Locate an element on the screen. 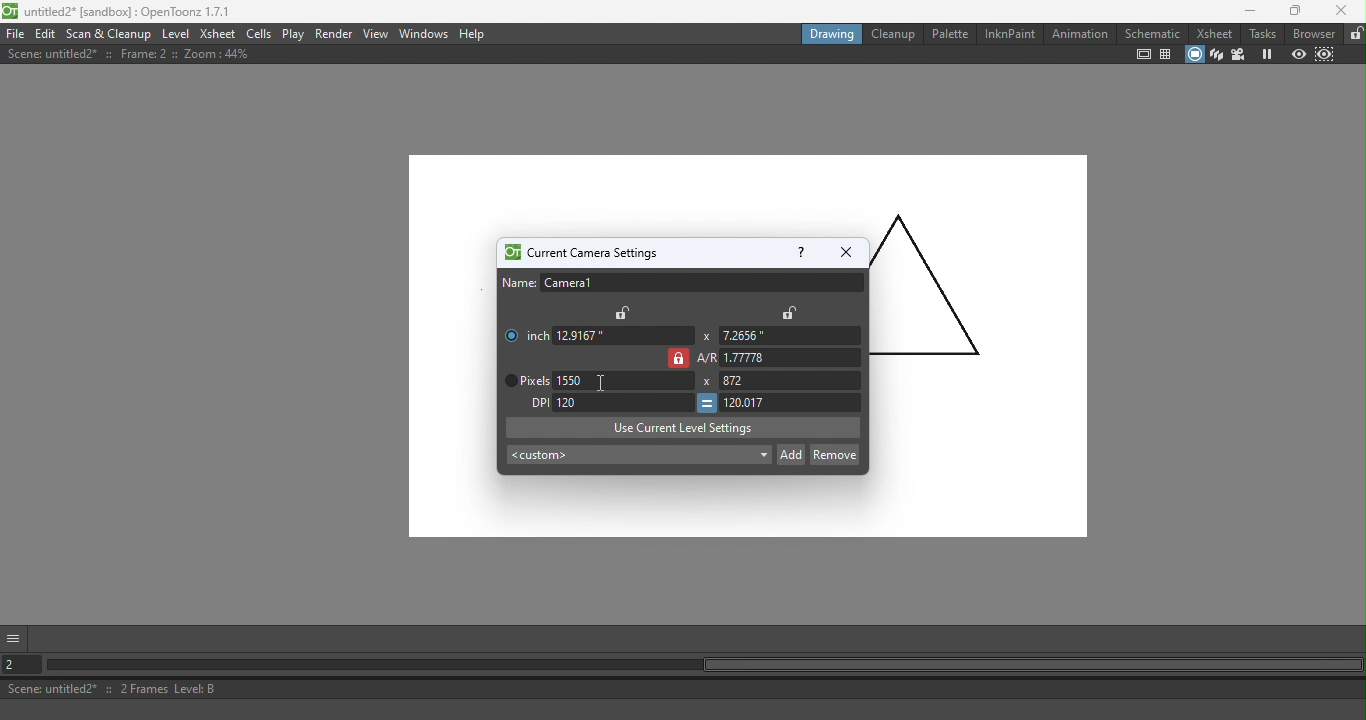 The image size is (1366, 720). Use current level settings is located at coordinates (683, 427).